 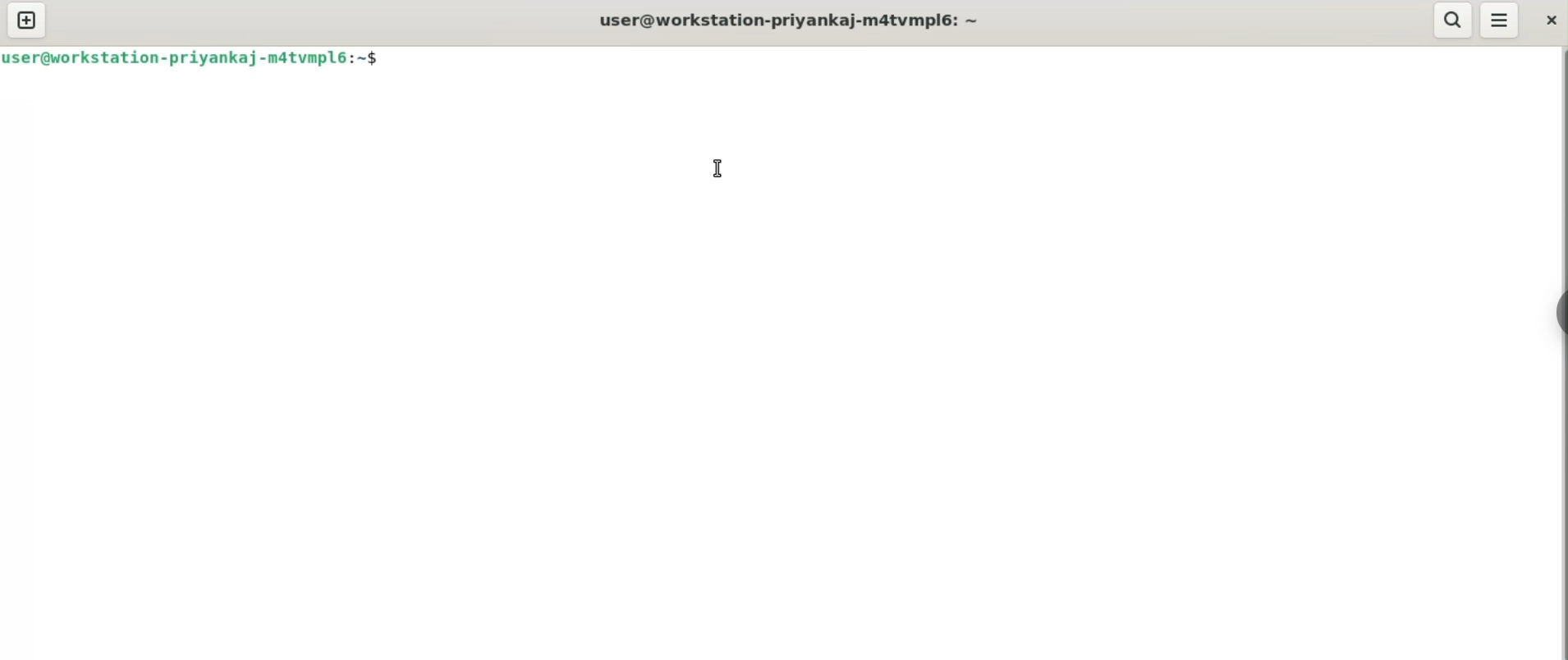 What do you see at coordinates (1557, 312) in the screenshot?
I see `sidebar` at bounding box center [1557, 312].